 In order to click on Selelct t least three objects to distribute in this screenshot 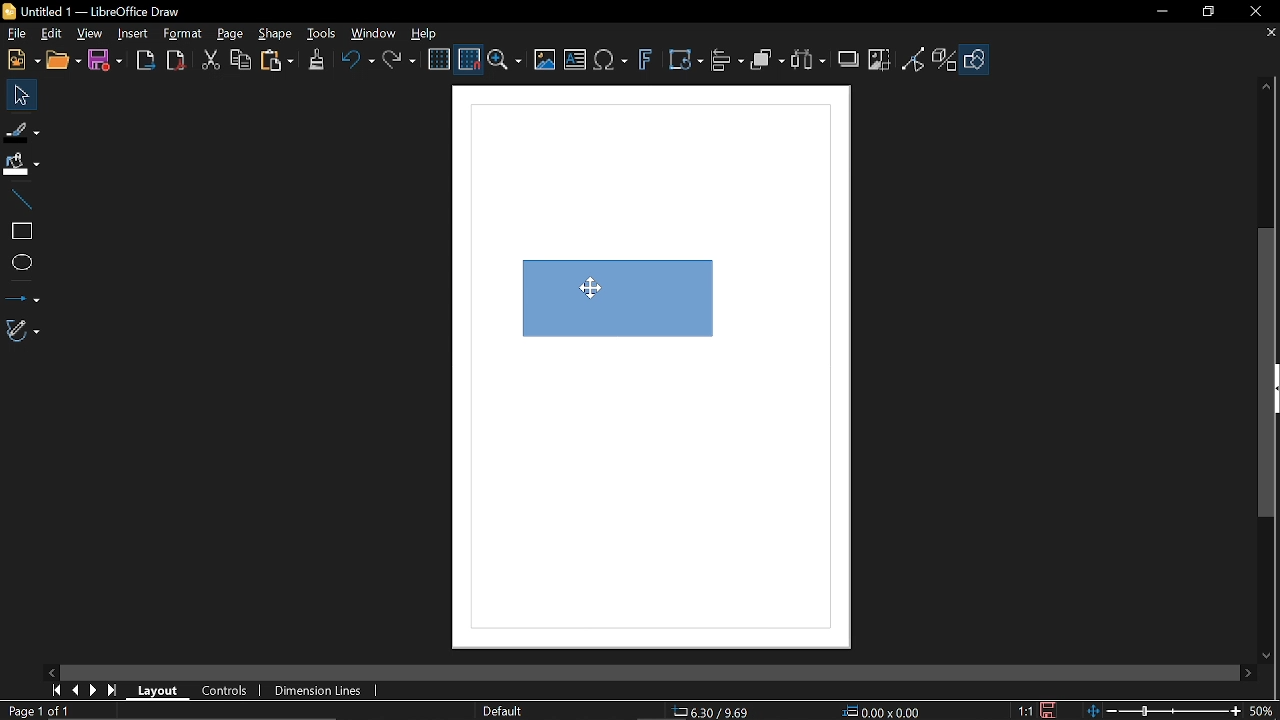, I will do `click(808, 61)`.